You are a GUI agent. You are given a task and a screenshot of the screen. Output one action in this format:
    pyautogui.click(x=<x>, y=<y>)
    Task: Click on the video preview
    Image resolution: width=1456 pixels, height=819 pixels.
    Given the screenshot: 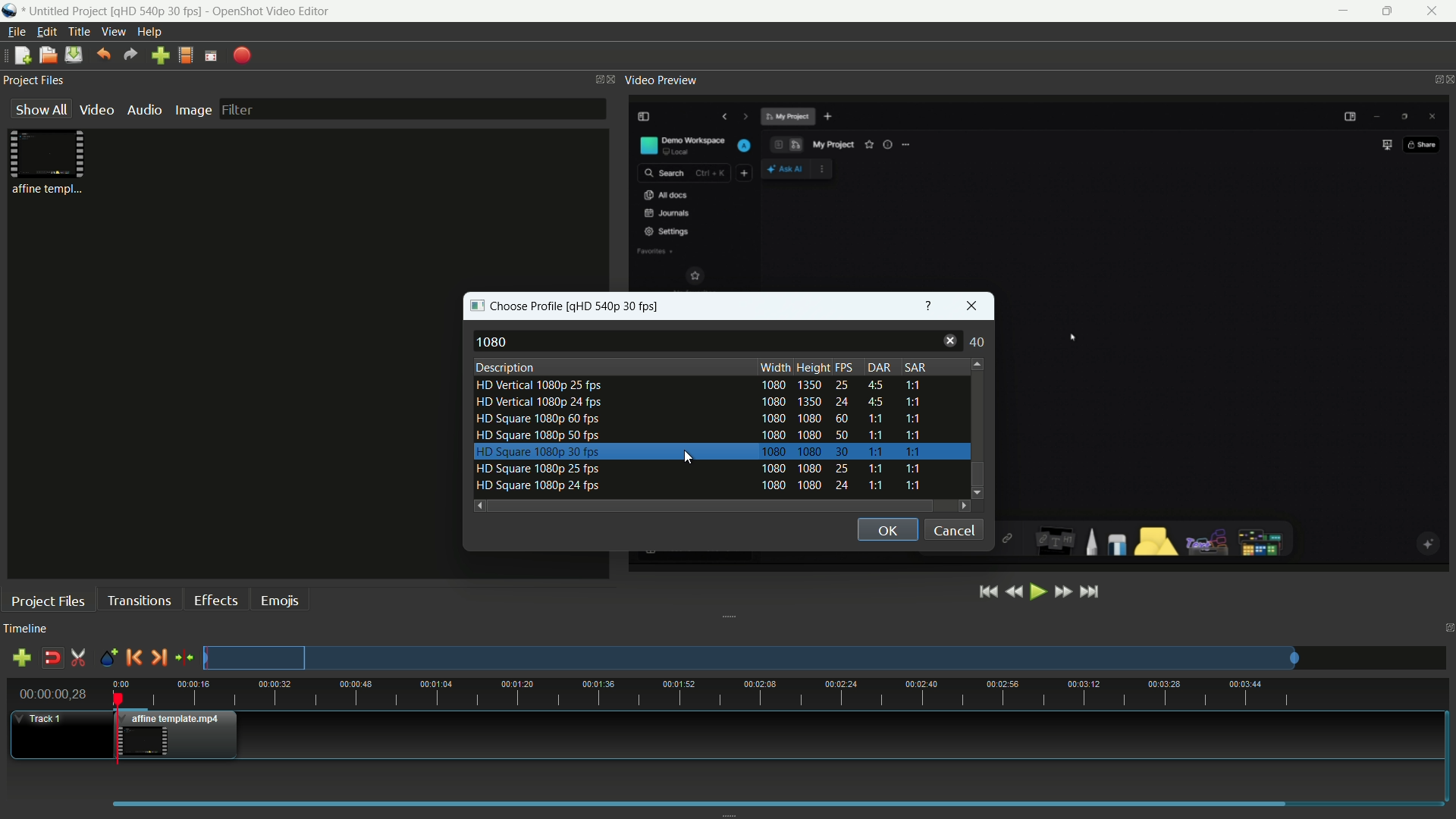 What is the action you would take?
    pyautogui.click(x=661, y=80)
    